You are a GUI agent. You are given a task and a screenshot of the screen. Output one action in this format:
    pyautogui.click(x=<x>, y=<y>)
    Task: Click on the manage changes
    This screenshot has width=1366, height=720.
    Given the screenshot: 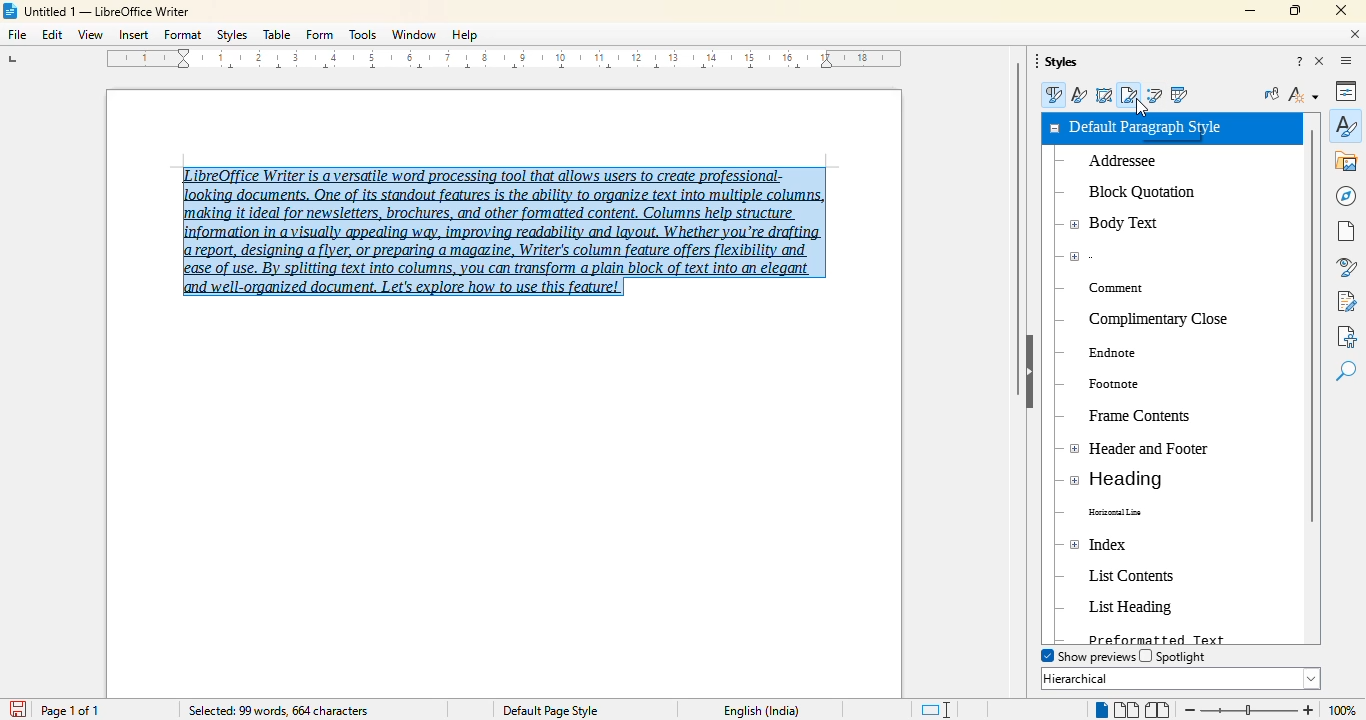 What is the action you would take?
    pyautogui.click(x=1346, y=301)
    